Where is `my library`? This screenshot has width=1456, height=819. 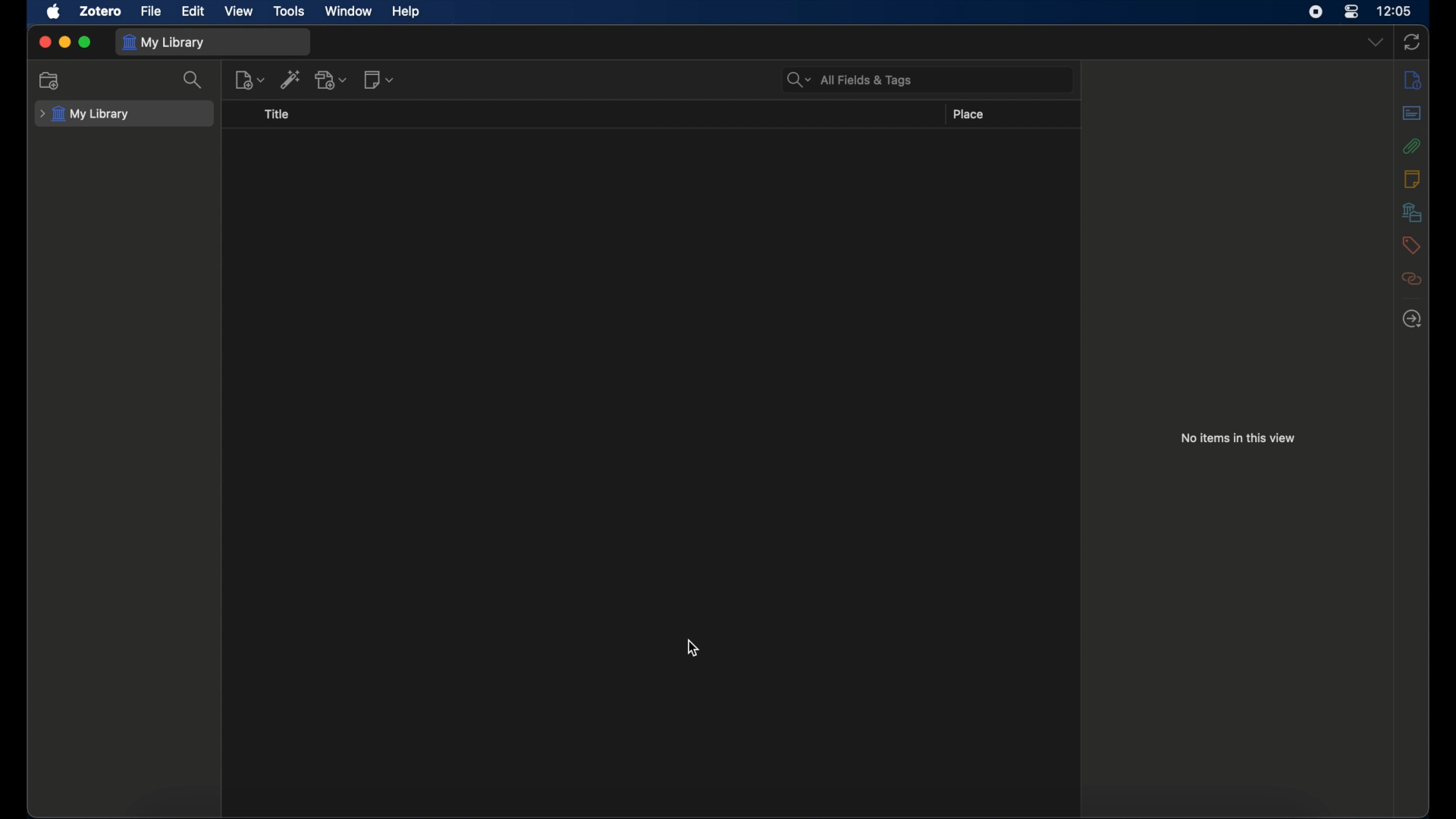
my library is located at coordinates (83, 115).